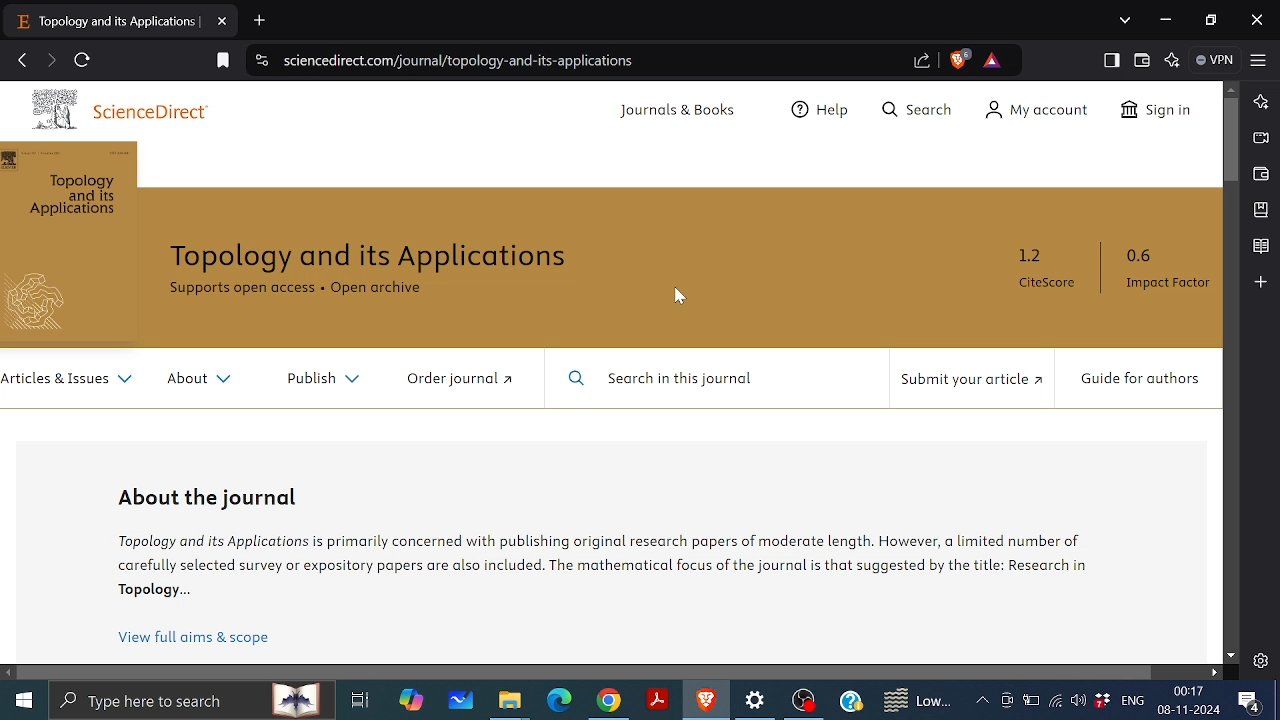 Image resolution: width=1280 pixels, height=720 pixels. I want to click on Speakers, so click(1076, 700).